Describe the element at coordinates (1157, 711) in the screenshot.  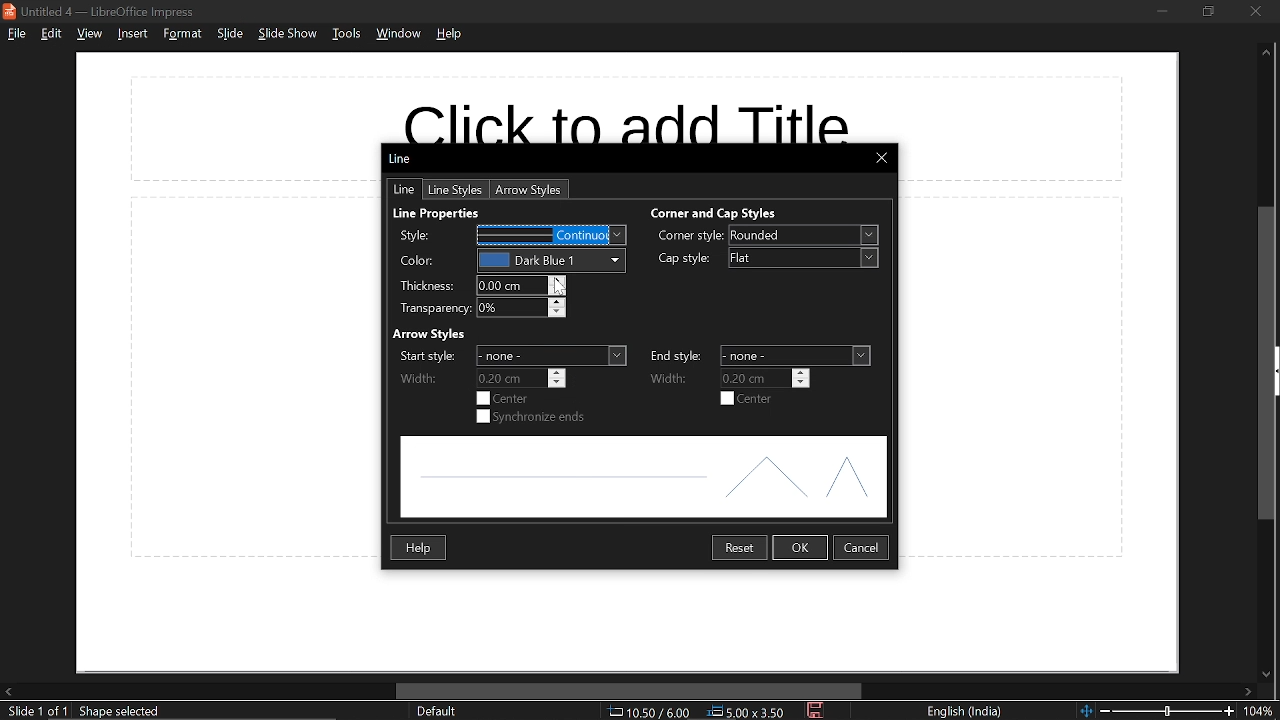
I see `change zoom` at that location.